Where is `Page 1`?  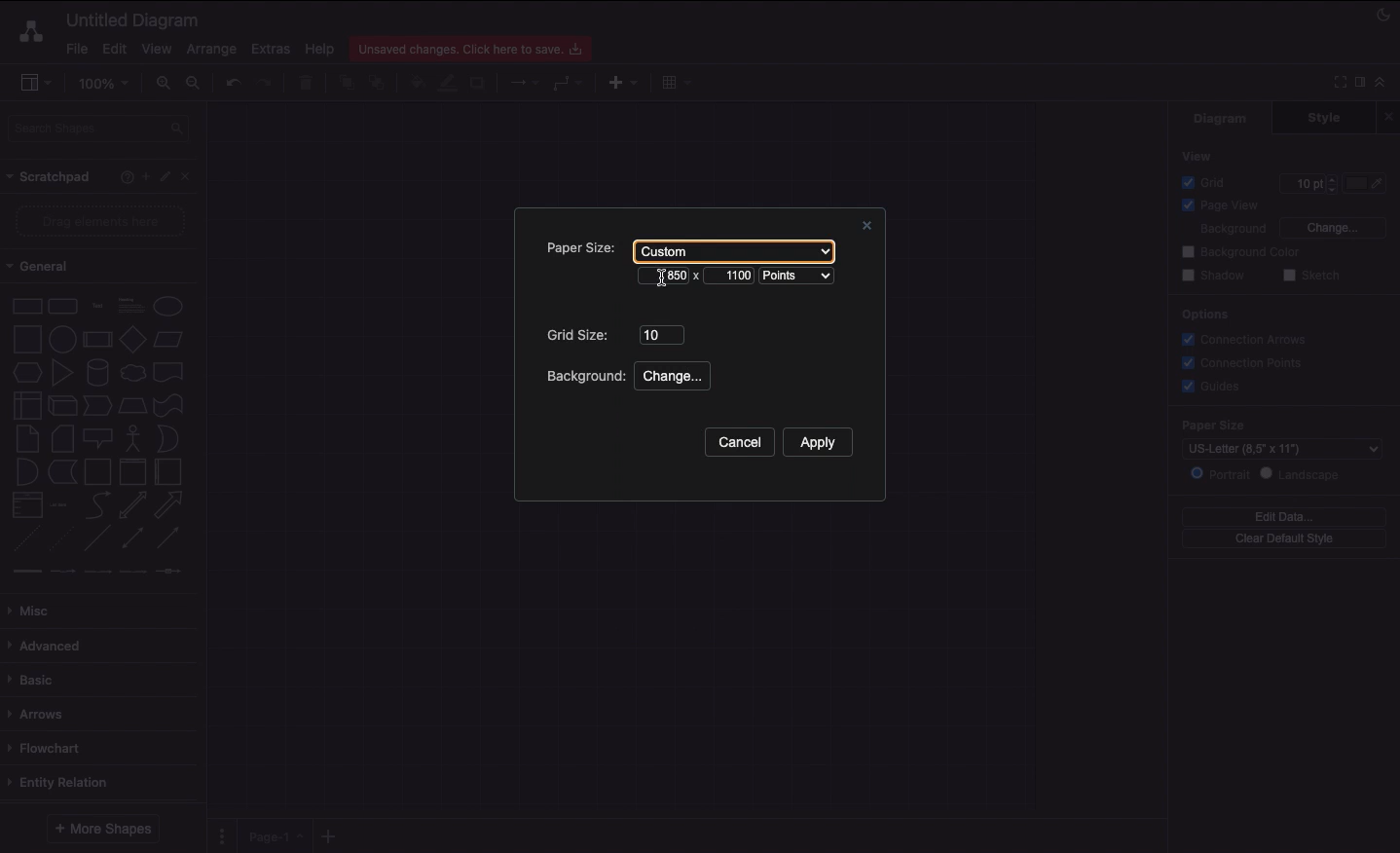
Page 1 is located at coordinates (273, 834).